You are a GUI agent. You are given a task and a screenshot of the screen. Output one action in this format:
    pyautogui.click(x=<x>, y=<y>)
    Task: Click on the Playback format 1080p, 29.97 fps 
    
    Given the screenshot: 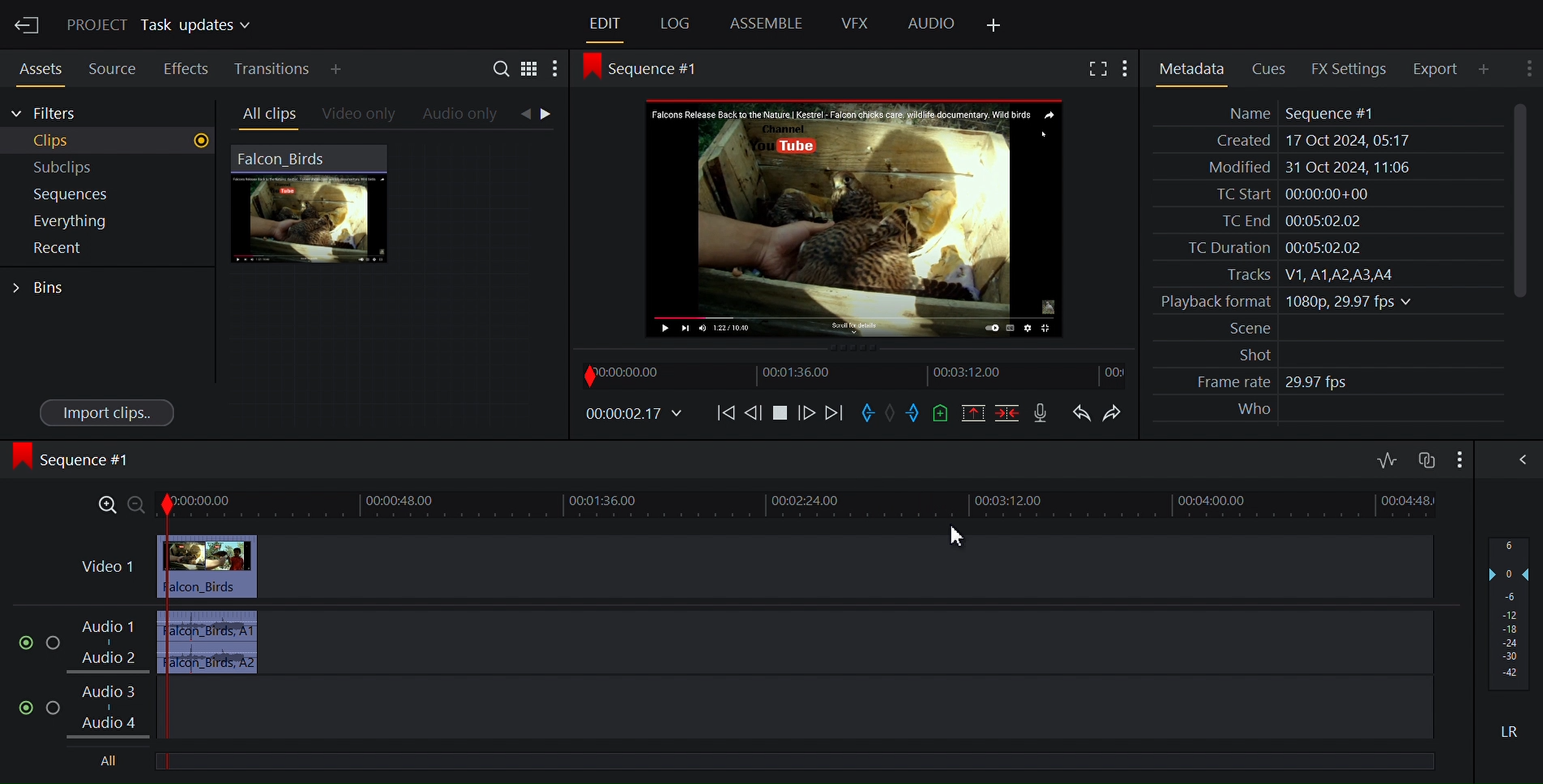 What is the action you would take?
    pyautogui.click(x=1282, y=302)
    